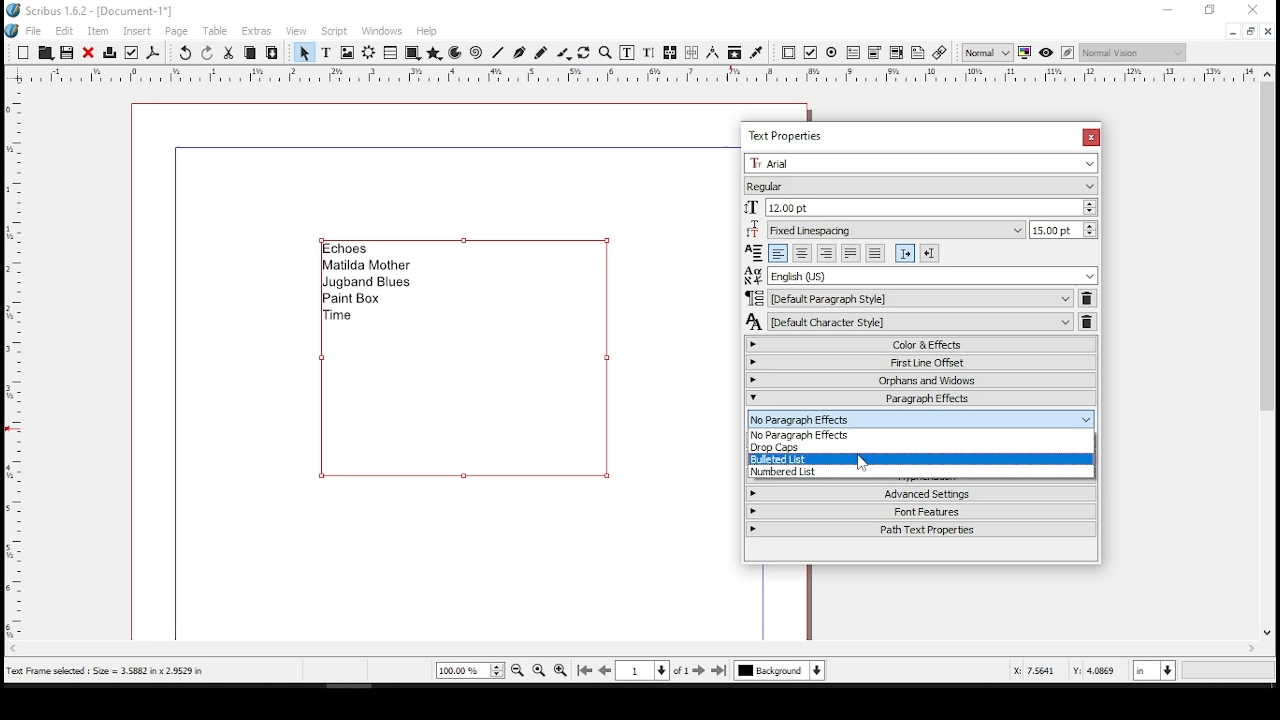 This screenshot has height=720, width=1280. What do you see at coordinates (1232, 32) in the screenshot?
I see `minimize` at bounding box center [1232, 32].